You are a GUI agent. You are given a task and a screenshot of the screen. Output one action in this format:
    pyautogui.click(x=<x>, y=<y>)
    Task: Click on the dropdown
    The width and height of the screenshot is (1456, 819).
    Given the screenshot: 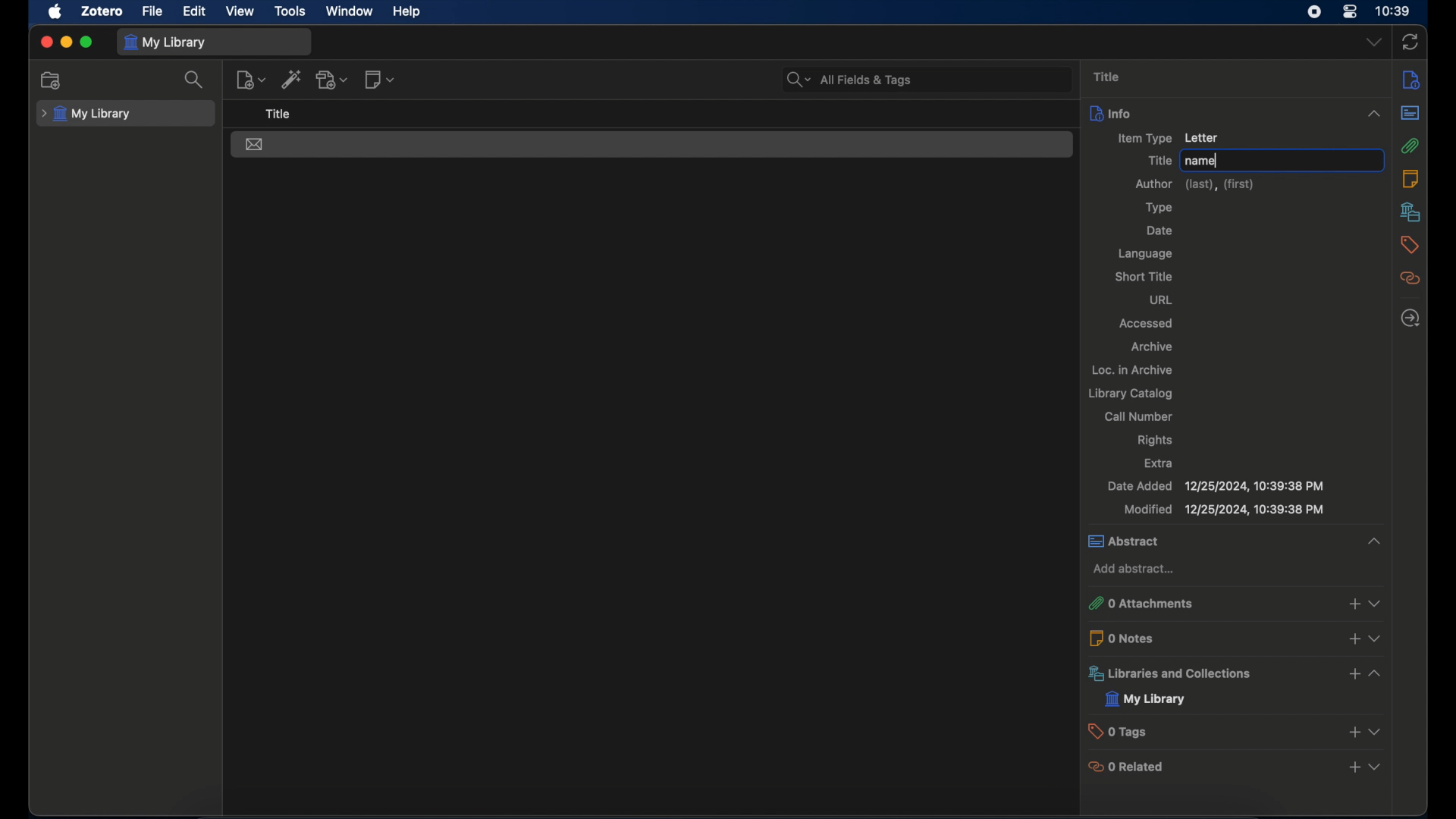 What is the action you would take?
    pyautogui.click(x=1374, y=42)
    